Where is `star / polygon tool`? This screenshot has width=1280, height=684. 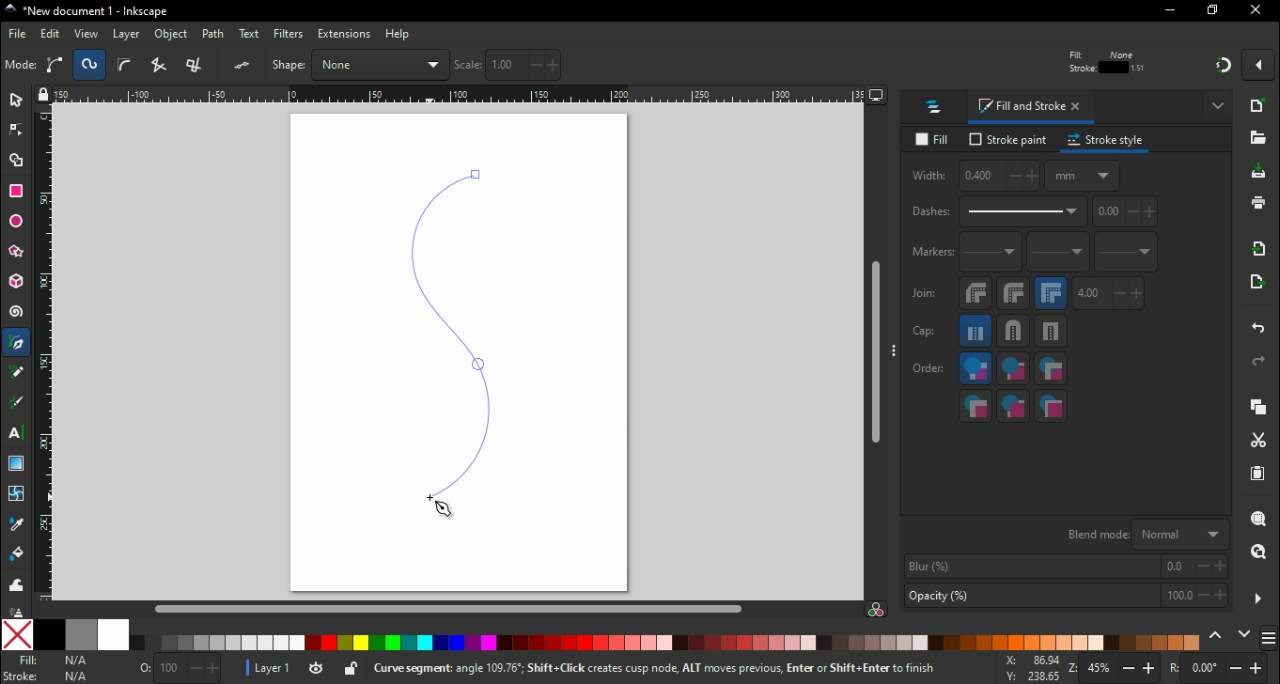
star / polygon tool is located at coordinates (16, 252).